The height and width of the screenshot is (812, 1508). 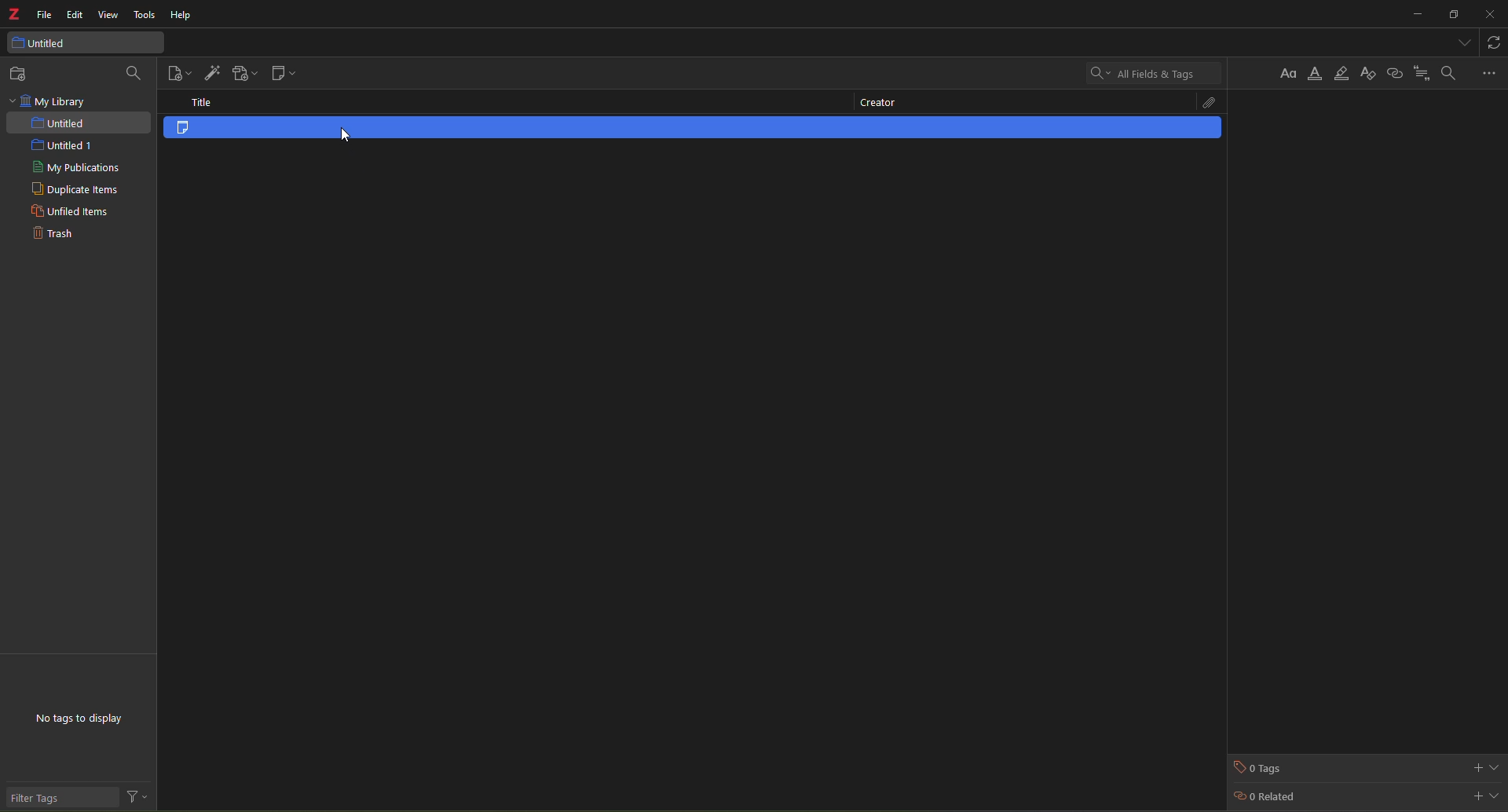 What do you see at coordinates (1199, 101) in the screenshot?
I see `attach` at bounding box center [1199, 101].